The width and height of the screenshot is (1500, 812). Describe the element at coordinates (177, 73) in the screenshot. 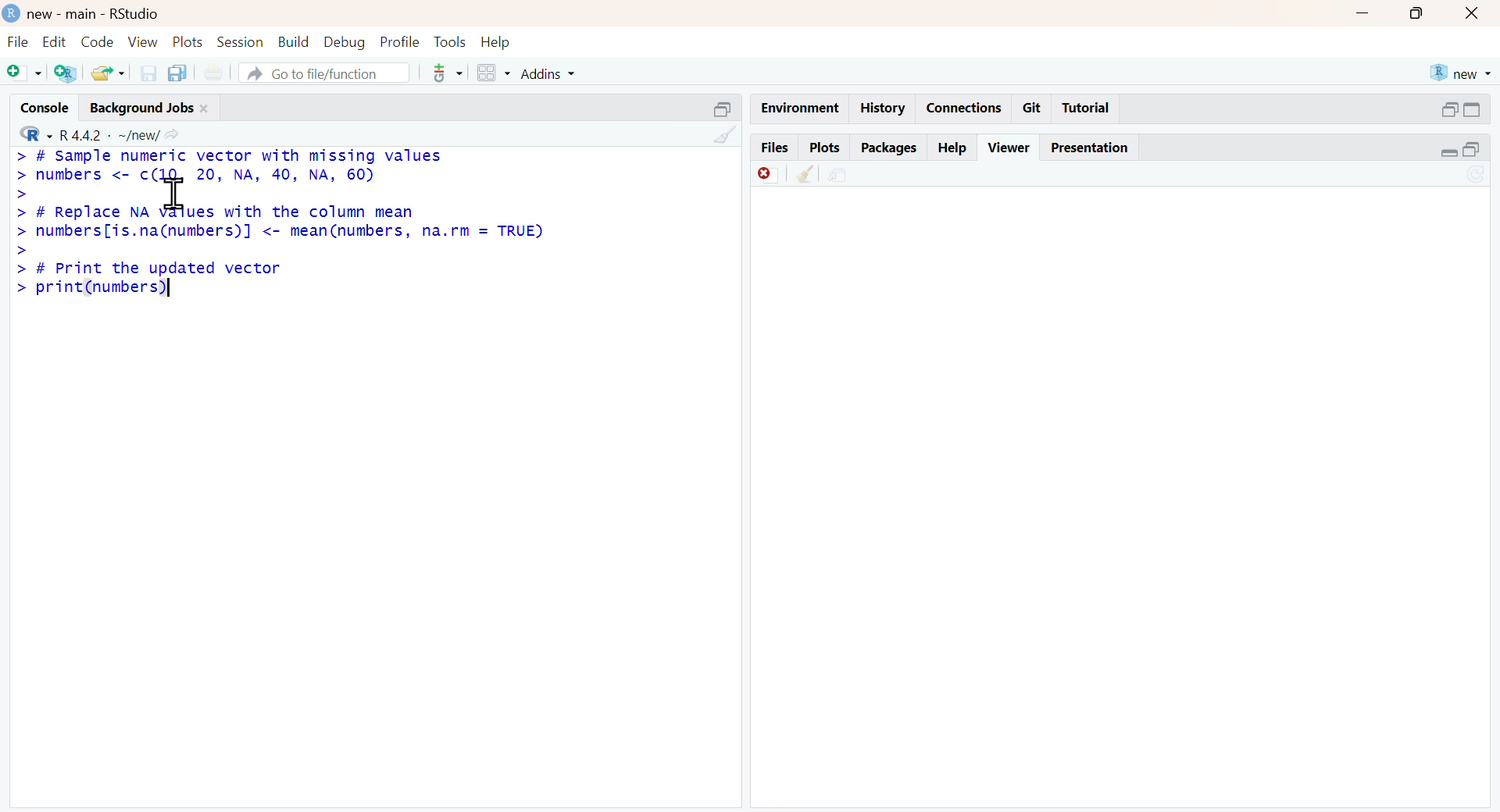

I see `copy` at that location.